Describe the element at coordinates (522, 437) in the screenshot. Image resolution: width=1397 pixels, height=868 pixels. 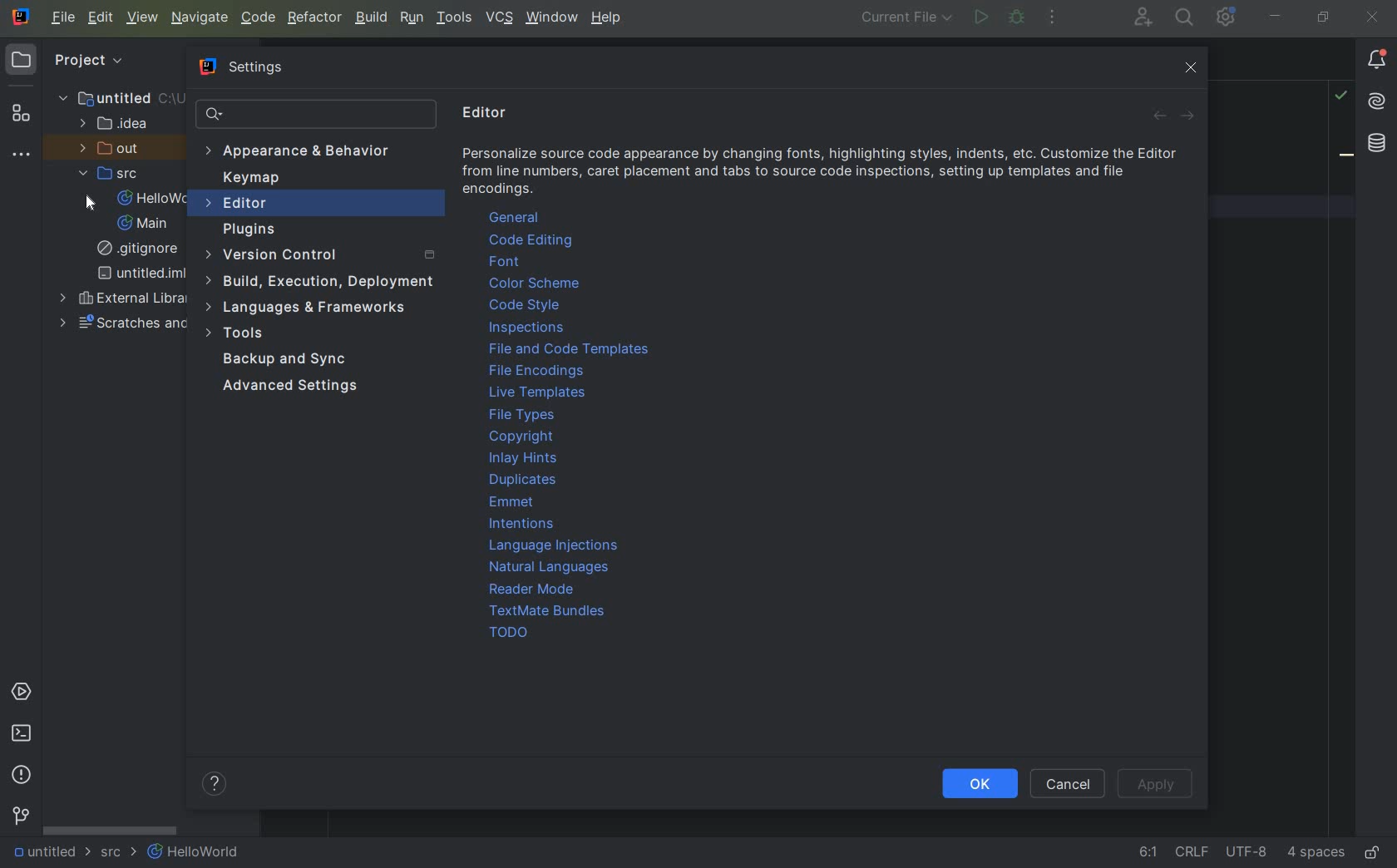
I see `copyright` at that location.